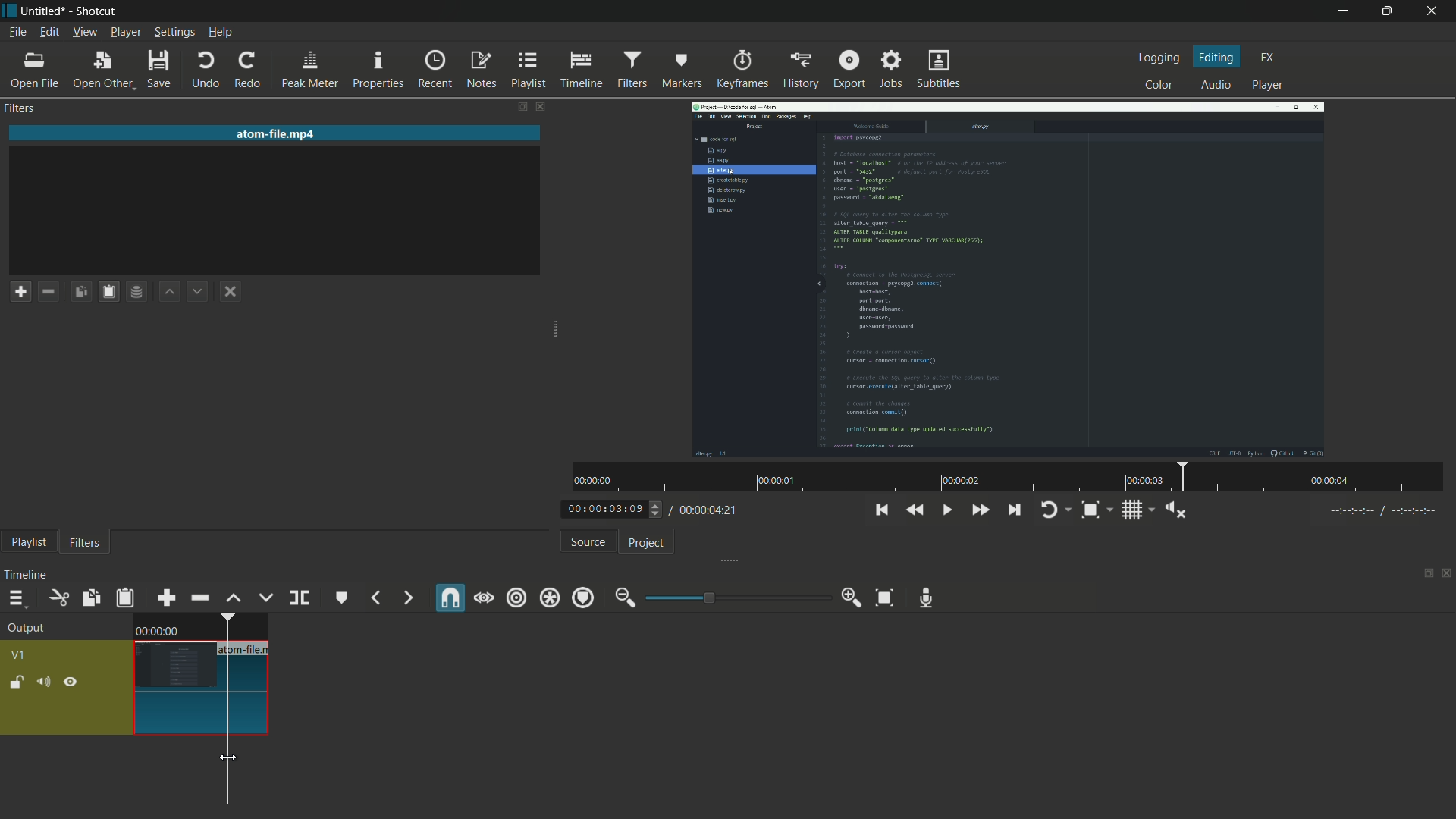 This screenshot has width=1456, height=819. I want to click on filters, so click(631, 71).